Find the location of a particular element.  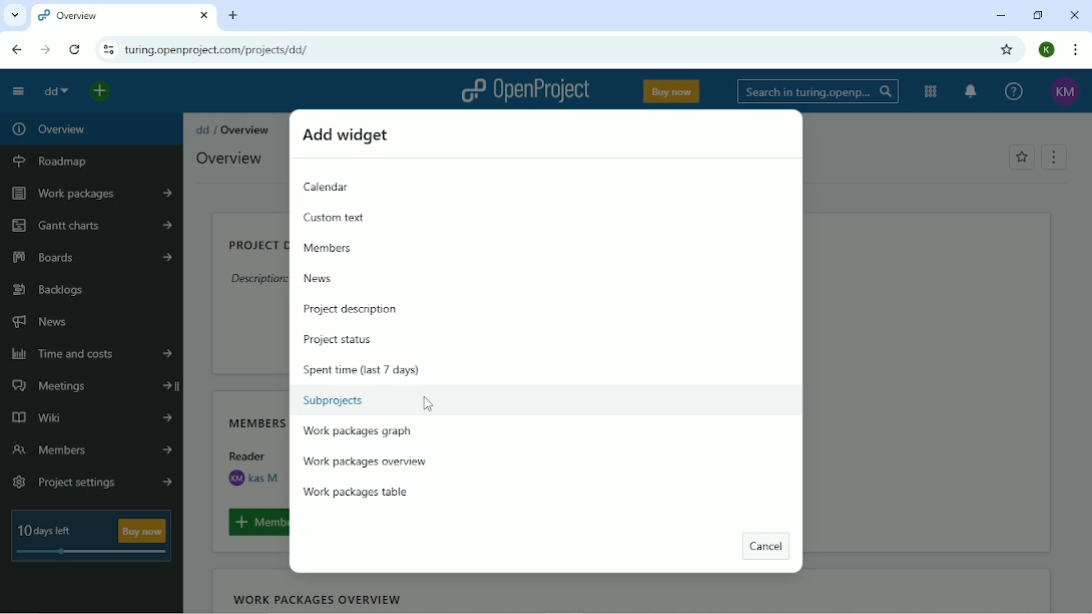

dd is located at coordinates (202, 130).